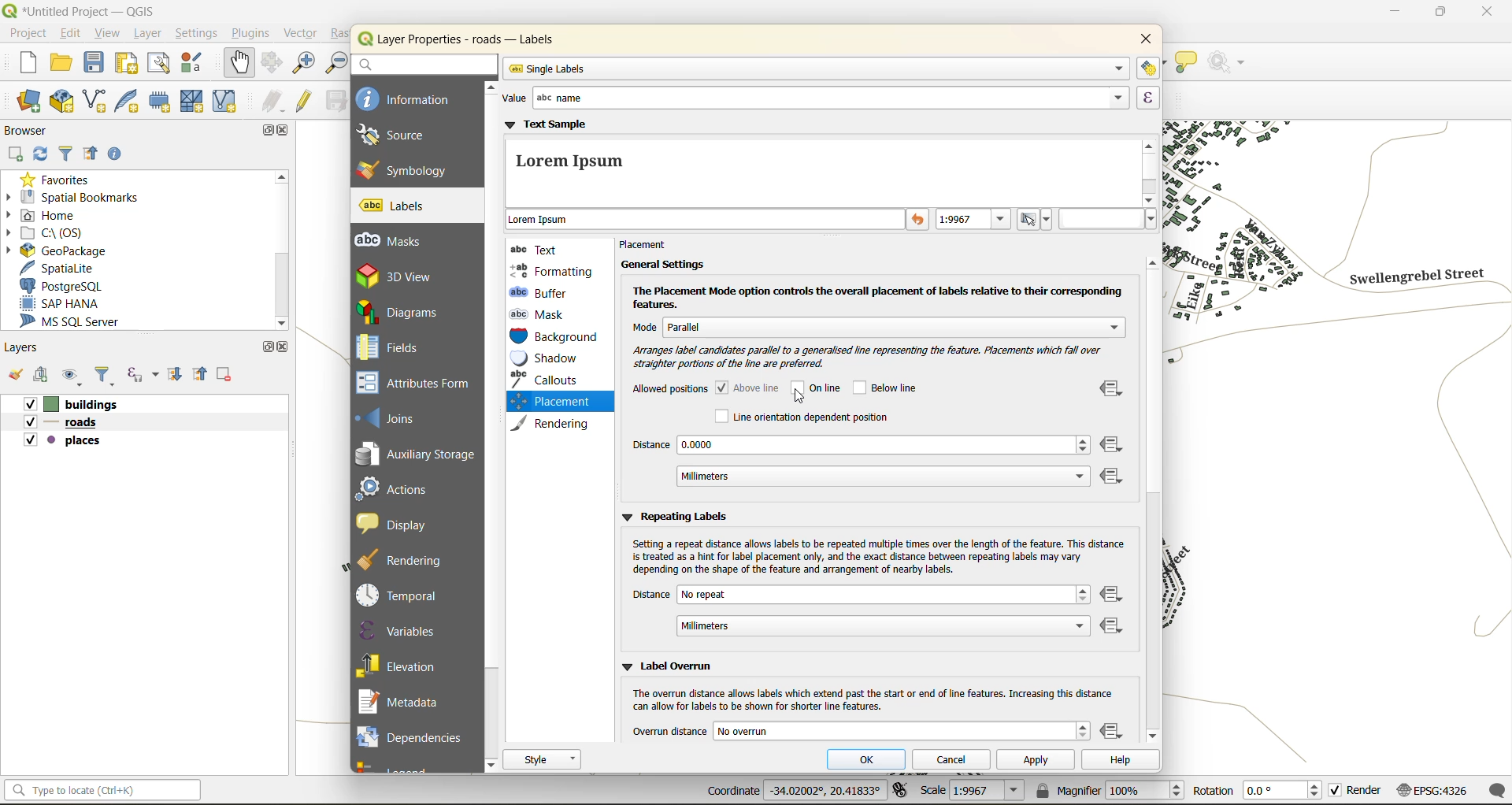  I want to click on maximize, so click(1440, 15).